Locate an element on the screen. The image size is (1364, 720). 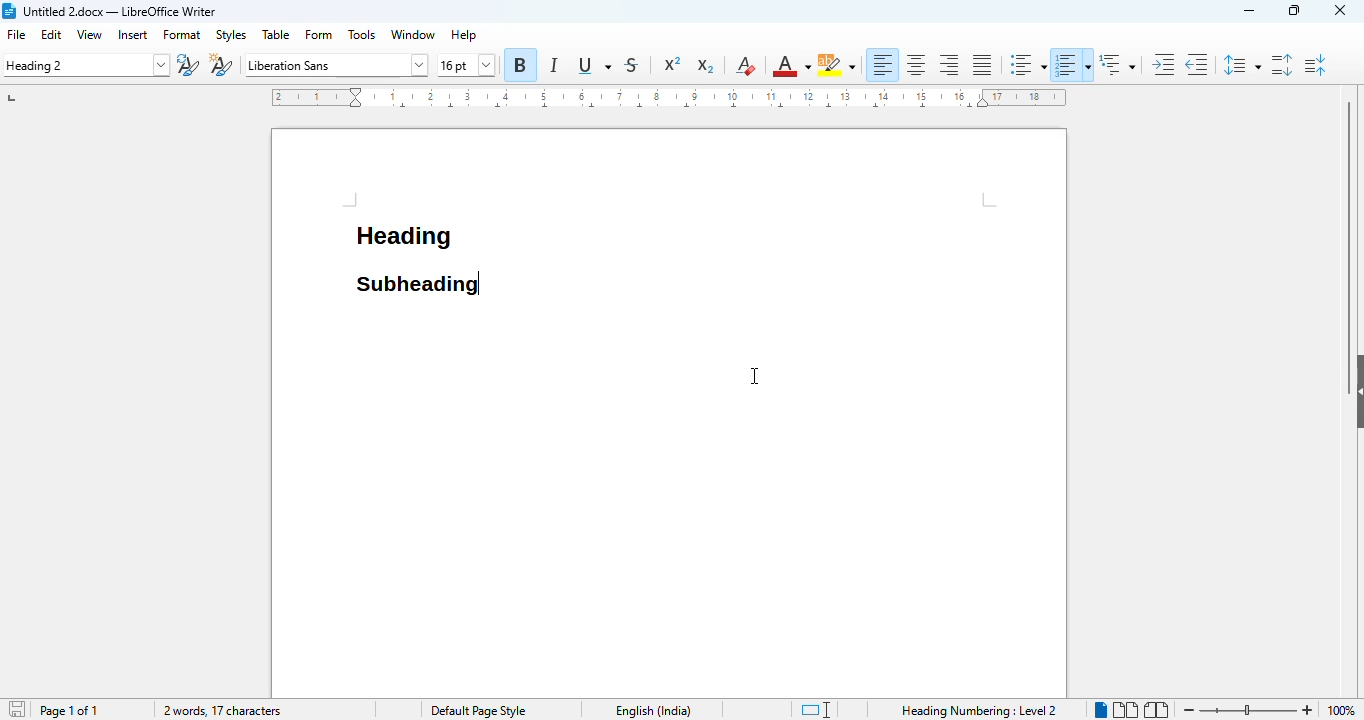
tools is located at coordinates (361, 34).